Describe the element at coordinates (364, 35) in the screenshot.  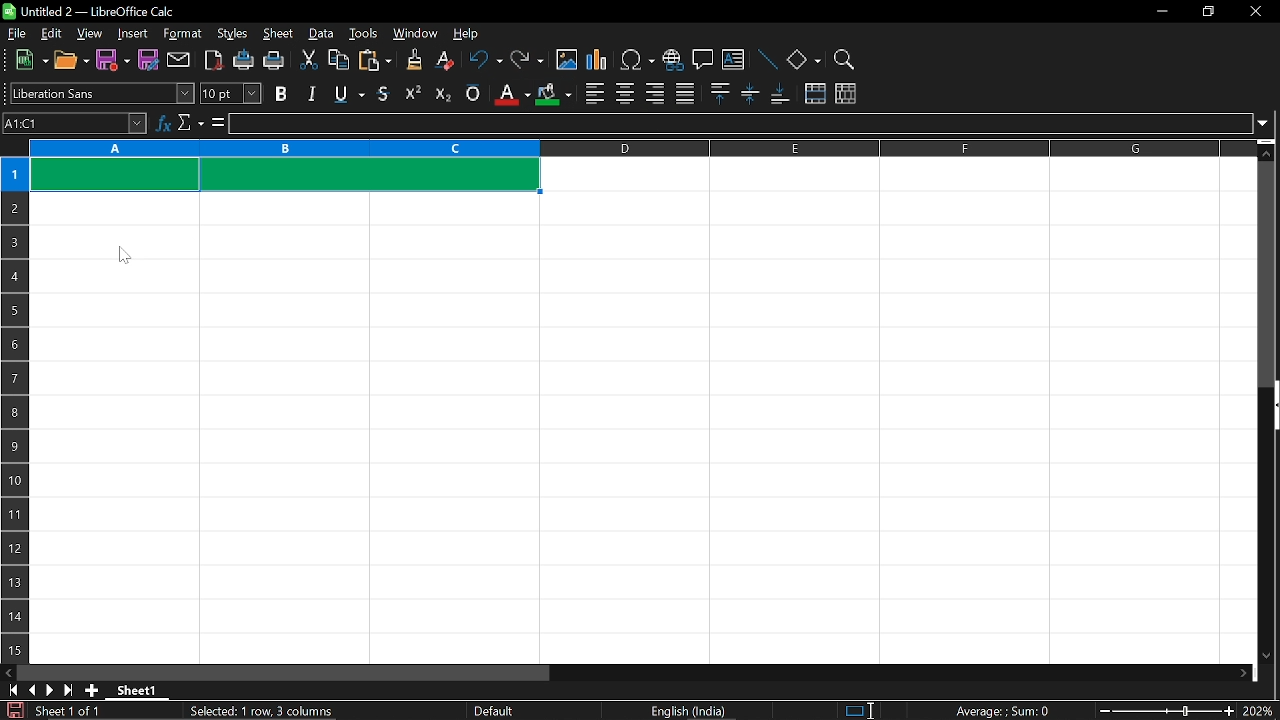
I see `tools` at that location.